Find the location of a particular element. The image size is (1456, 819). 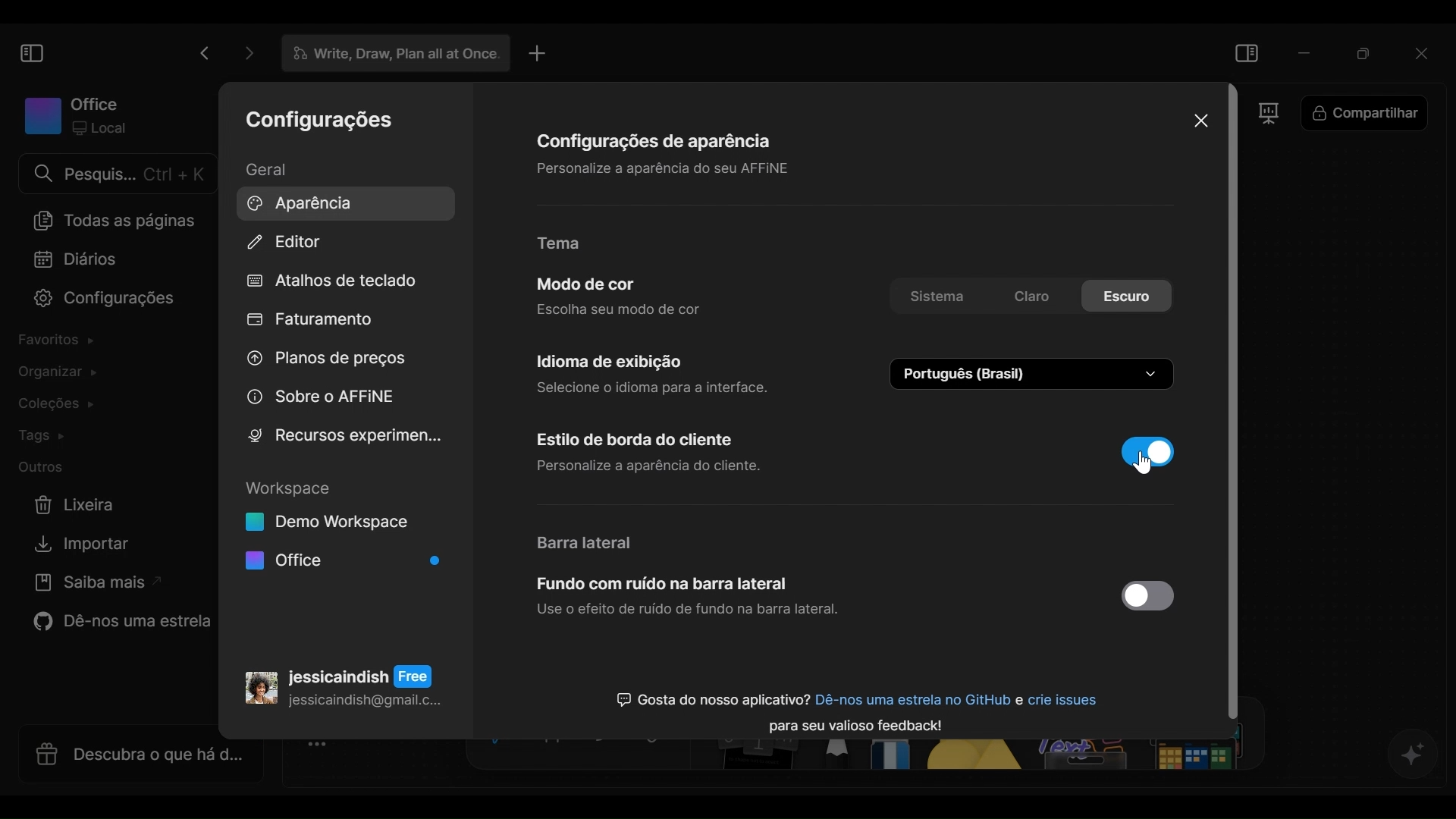

Trash is located at coordinates (76, 505).